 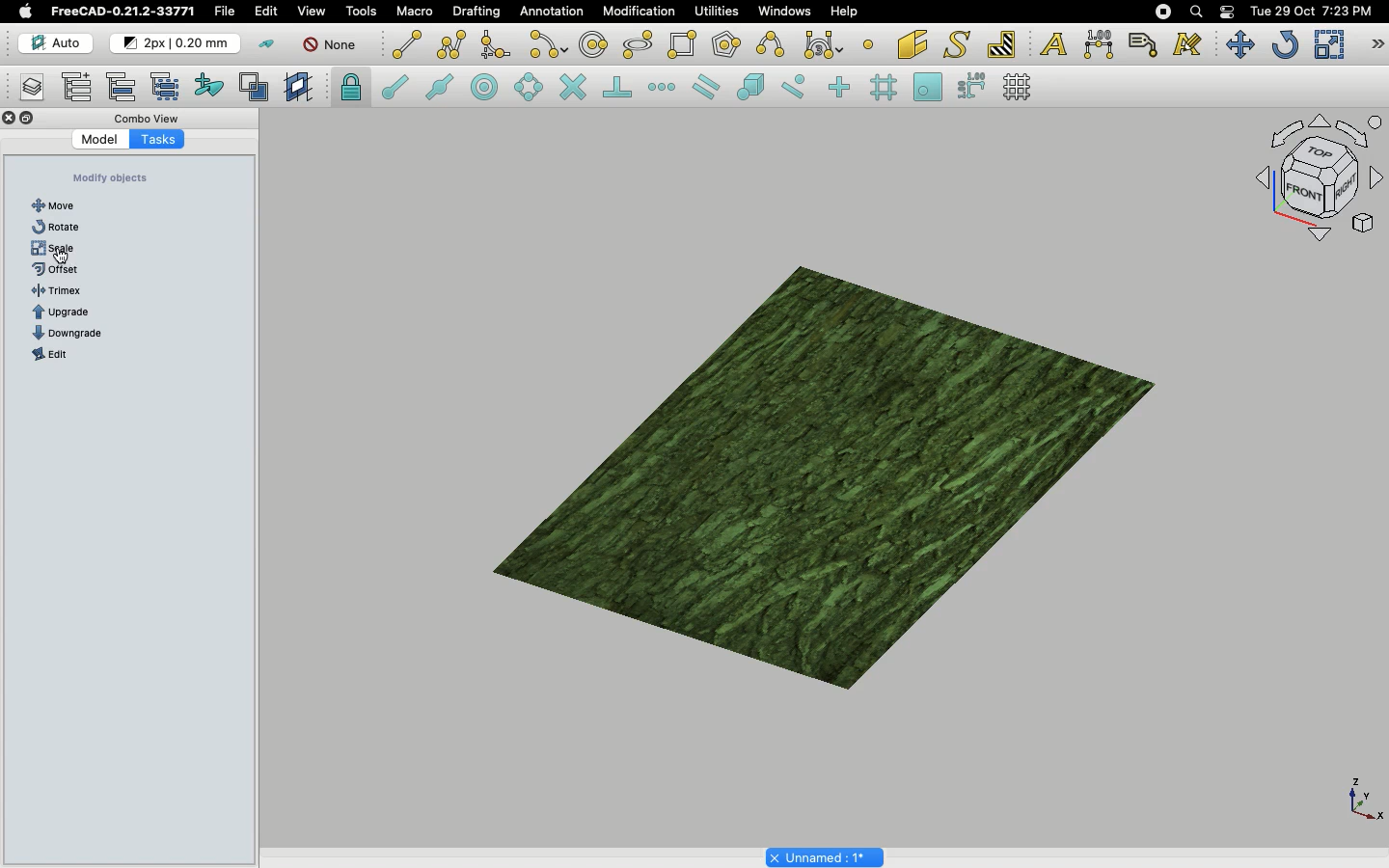 I want to click on Snap special, so click(x=748, y=85).